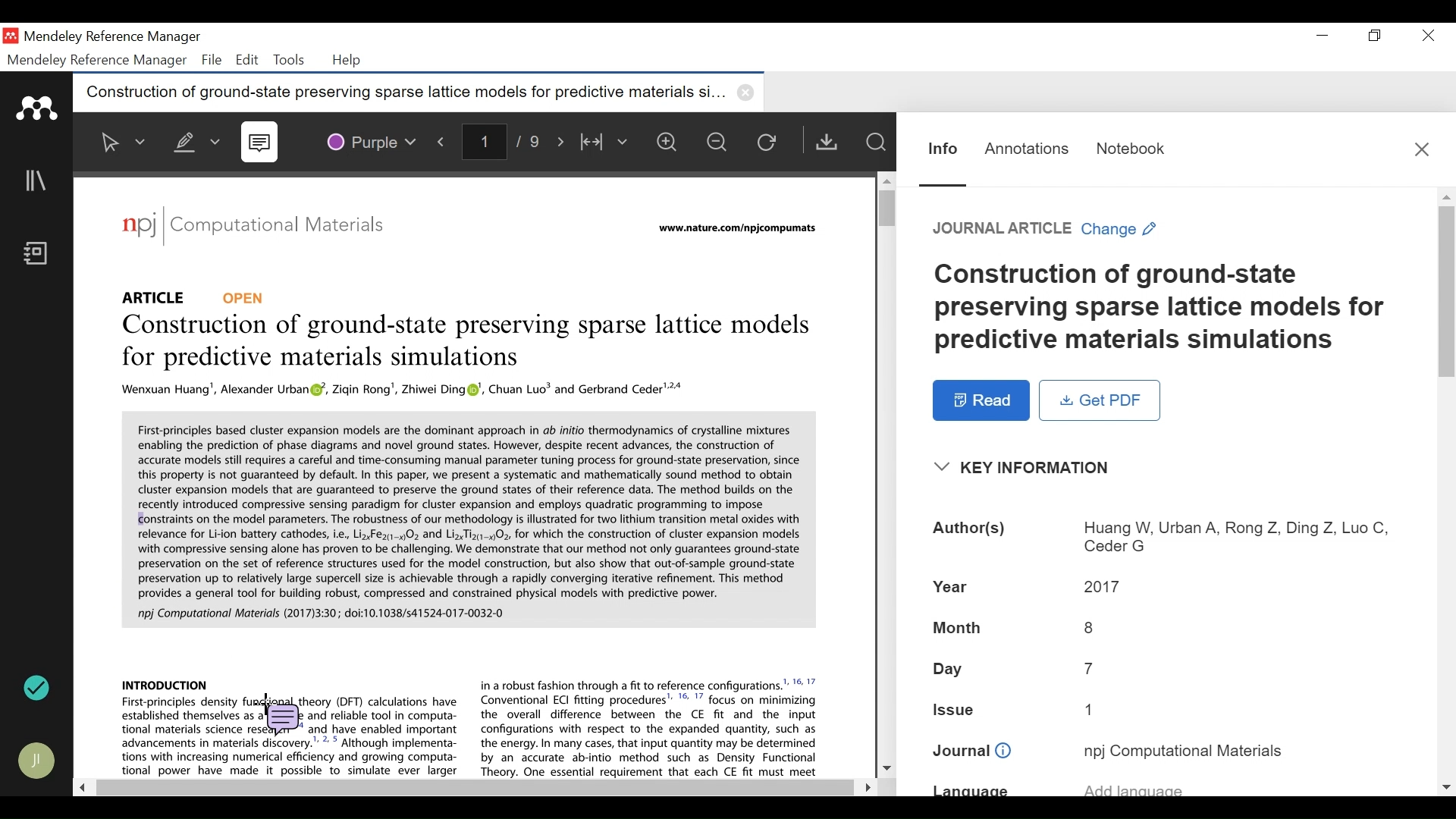 Image resolution: width=1456 pixels, height=819 pixels. What do you see at coordinates (1027, 147) in the screenshot?
I see `Annotations` at bounding box center [1027, 147].